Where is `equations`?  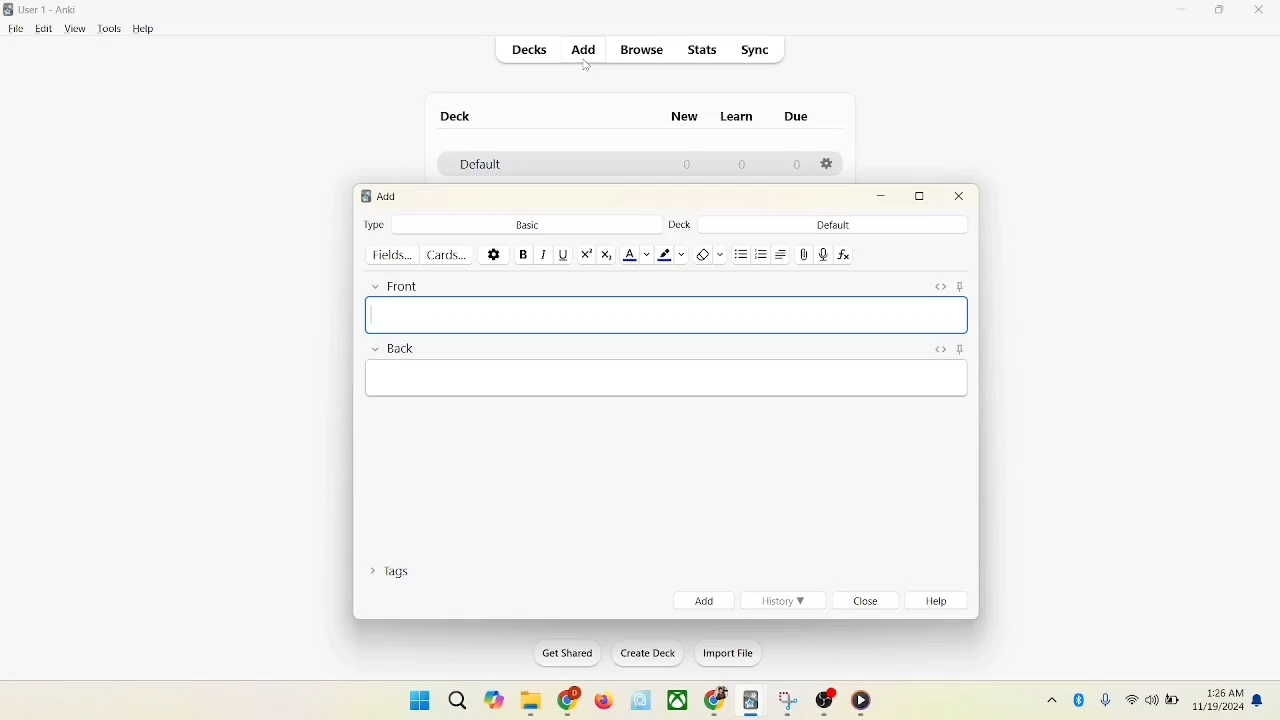 equations is located at coordinates (843, 255).